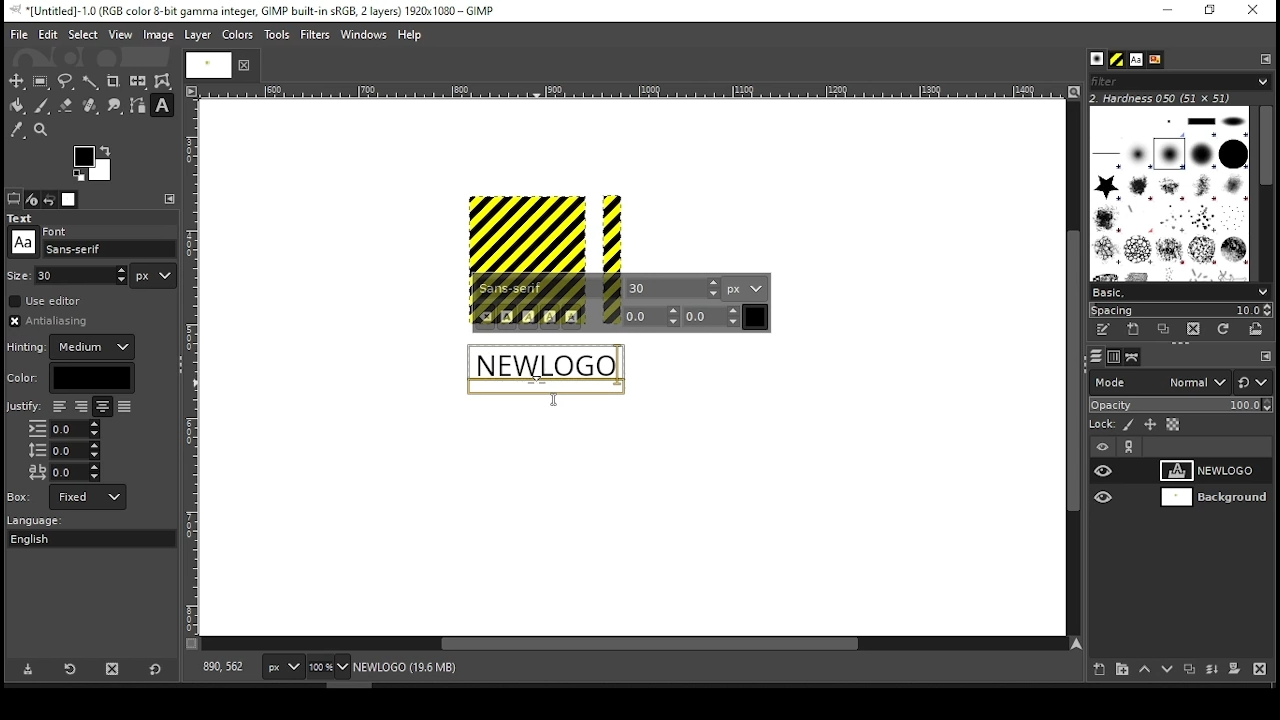 Image resolution: width=1280 pixels, height=720 pixels. I want to click on language, so click(44, 521).